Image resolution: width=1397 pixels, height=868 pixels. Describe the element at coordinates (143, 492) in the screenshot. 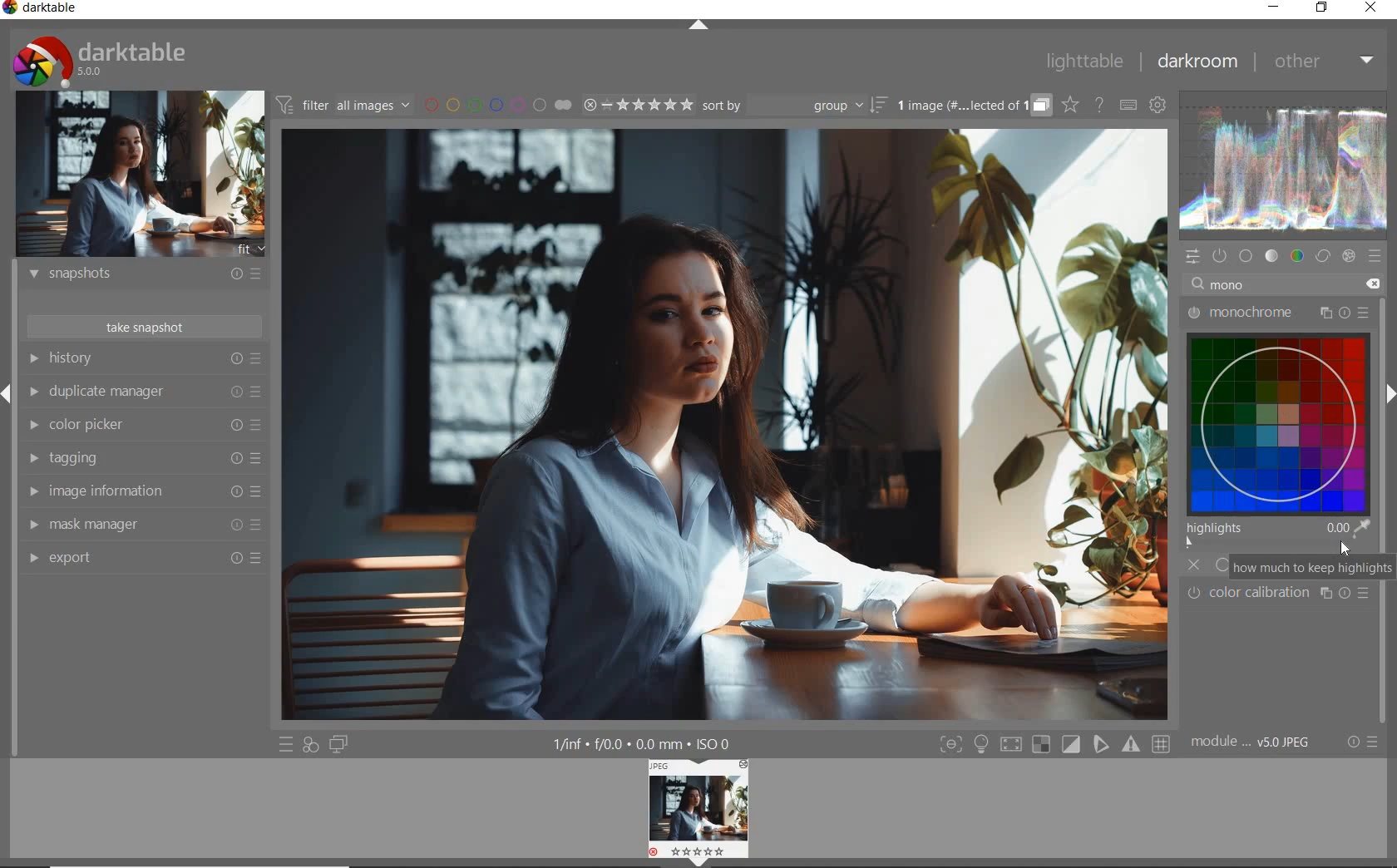

I see `image information` at that location.